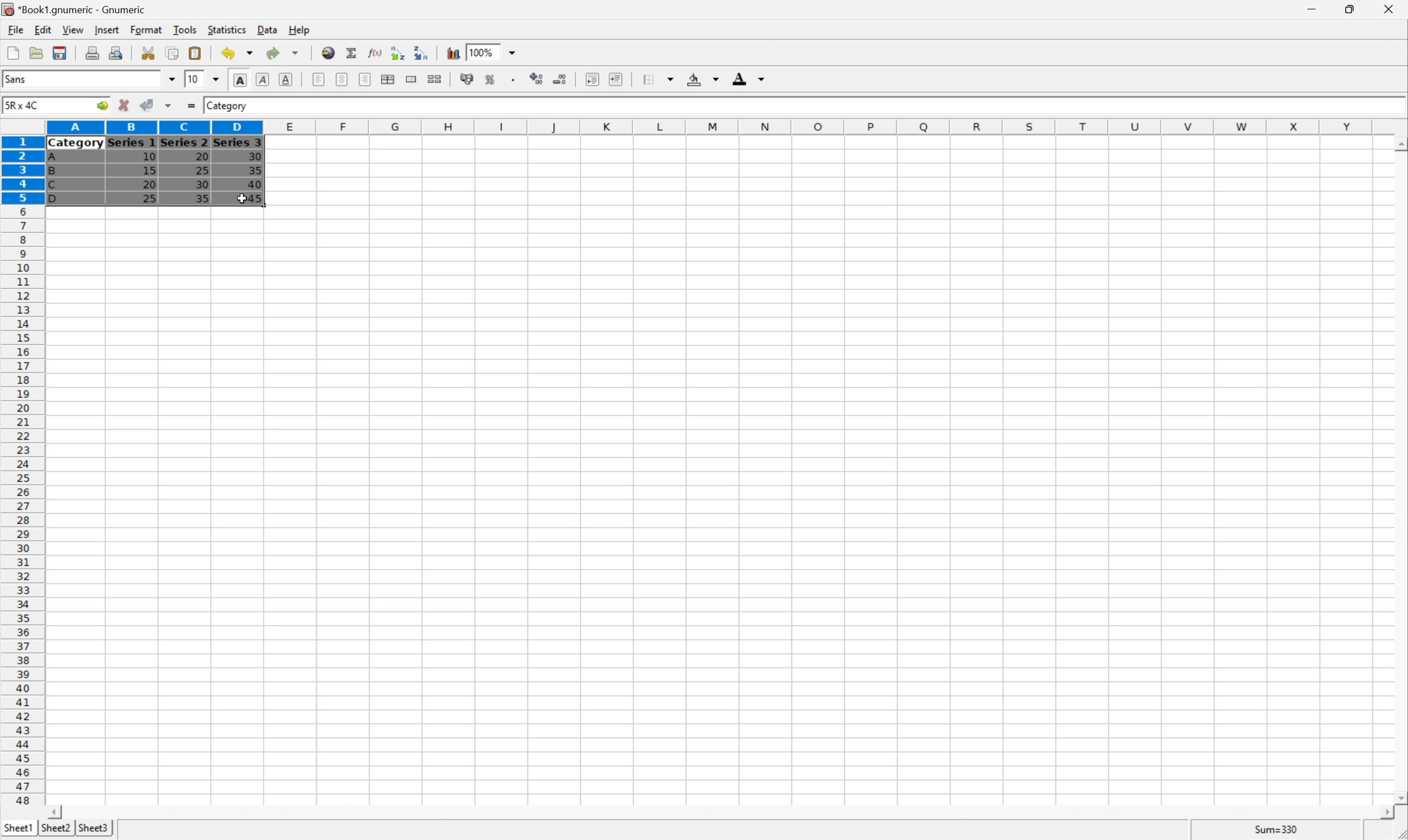 The image size is (1408, 840). What do you see at coordinates (76, 9) in the screenshot?
I see `*Book1.gnumeric - Gnumeric` at bounding box center [76, 9].